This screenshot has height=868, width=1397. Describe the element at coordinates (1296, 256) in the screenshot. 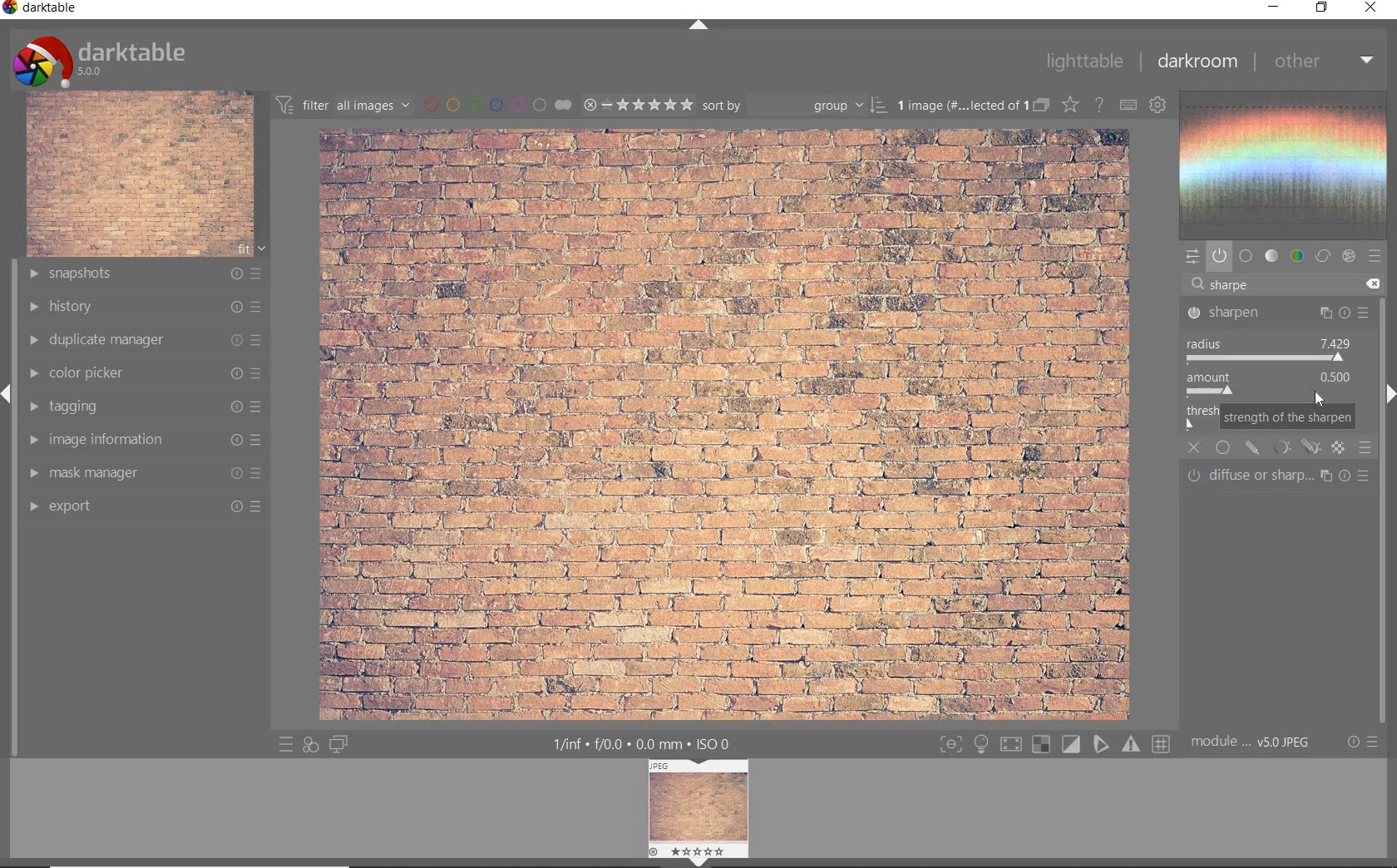

I see `color` at that location.